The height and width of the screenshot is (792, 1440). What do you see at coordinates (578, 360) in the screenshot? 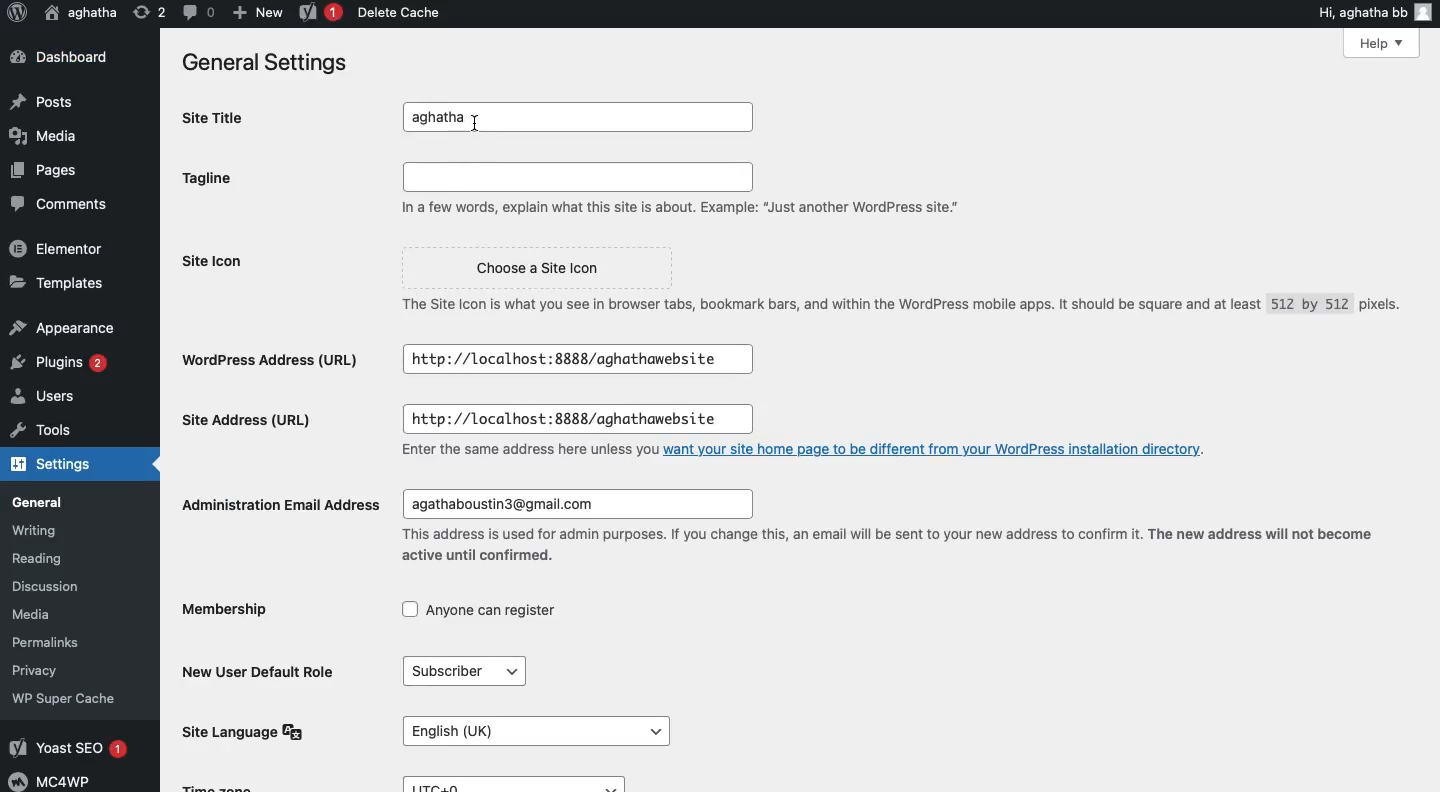
I see `http://localhost:8888/aghathawebsite` at bounding box center [578, 360].